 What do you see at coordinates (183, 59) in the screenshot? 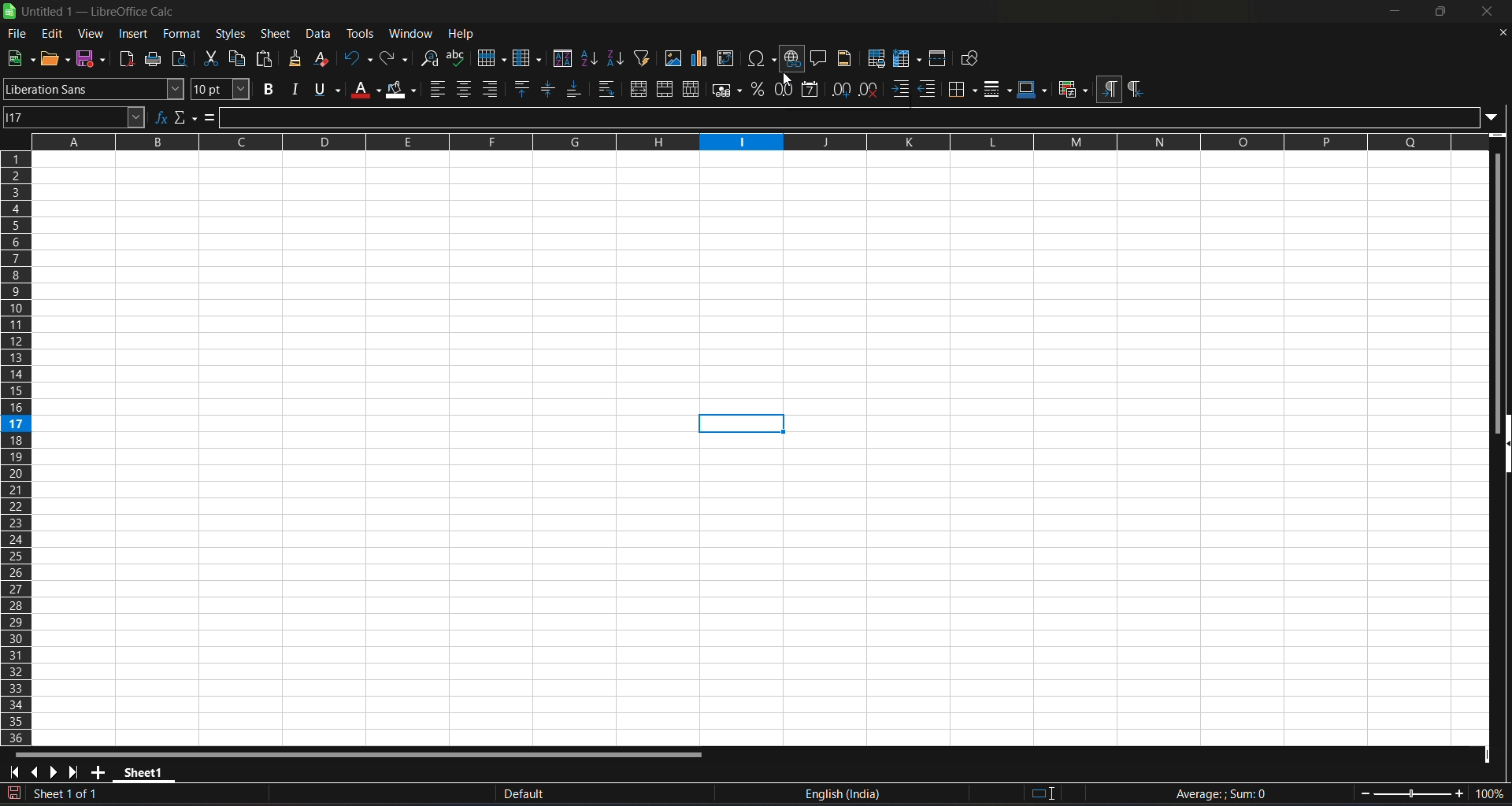
I see `toggle print preview` at bounding box center [183, 59].